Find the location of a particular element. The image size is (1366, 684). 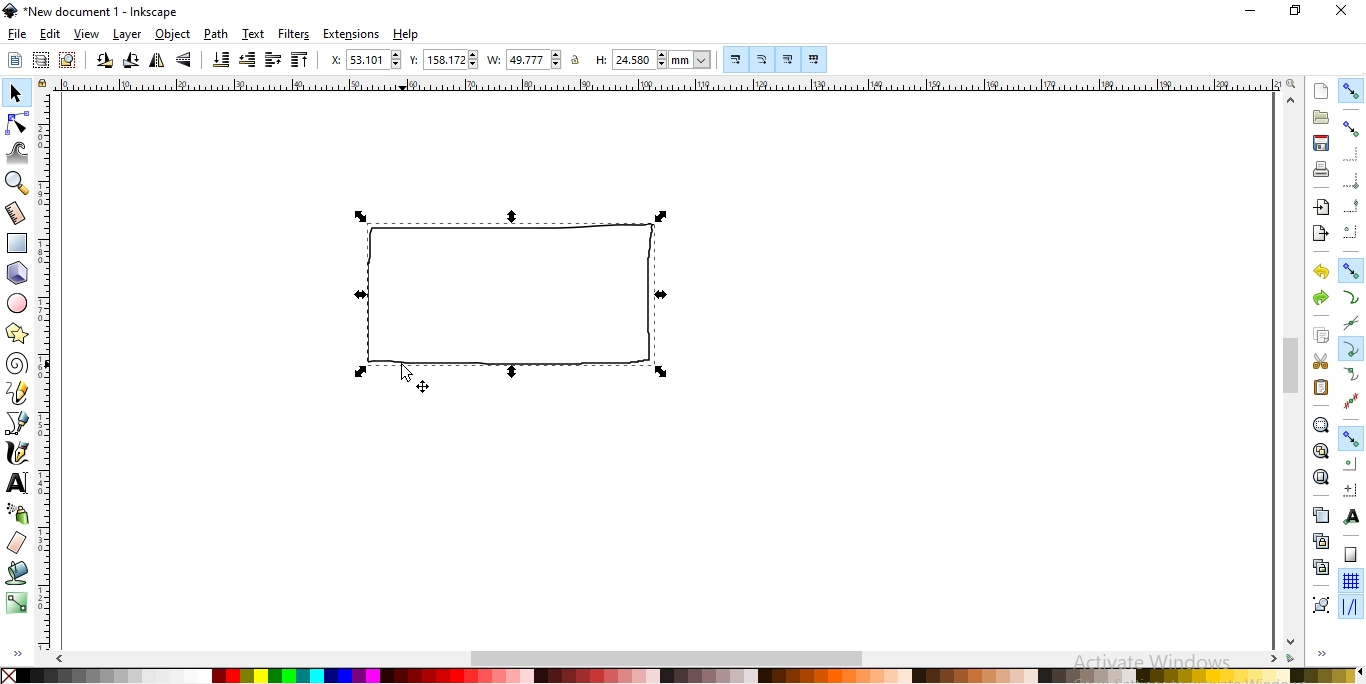

snap to path intersection is located at coordinates (1350, 326).